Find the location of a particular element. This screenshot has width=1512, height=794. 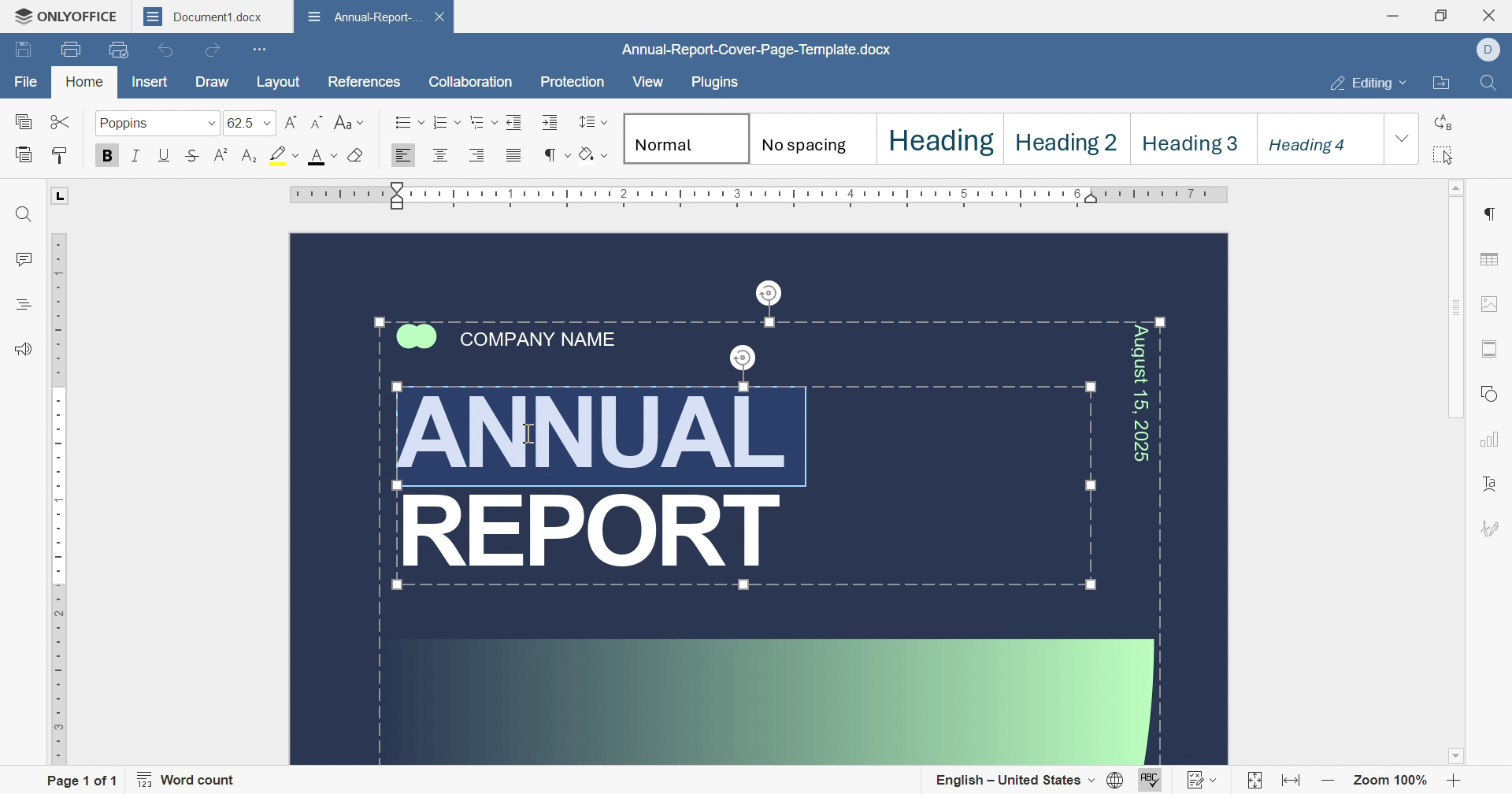

ruler is located at coordinates (765, 194).